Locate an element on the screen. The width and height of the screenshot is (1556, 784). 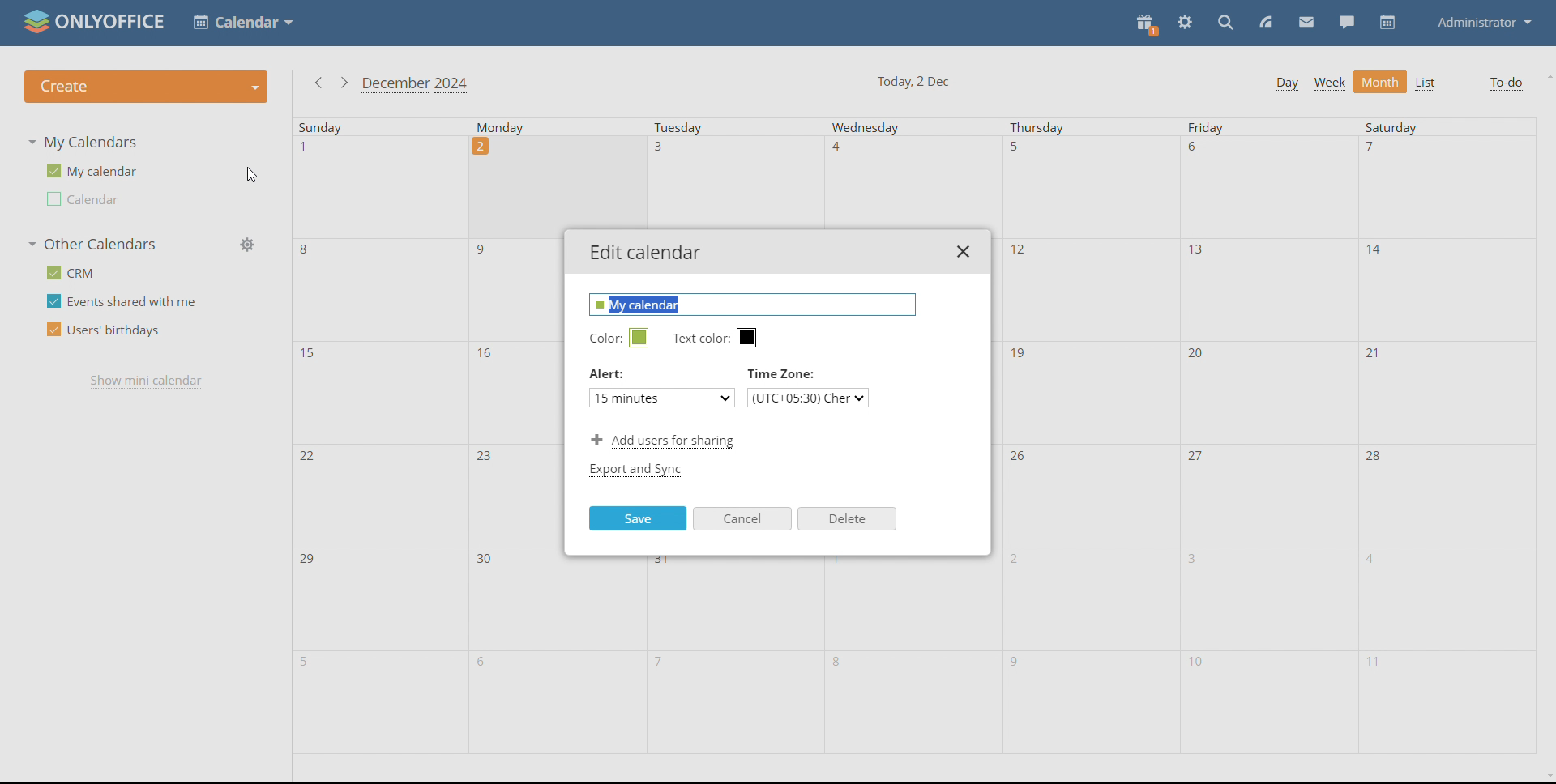
other calendars is located at coordinates (92, 243).